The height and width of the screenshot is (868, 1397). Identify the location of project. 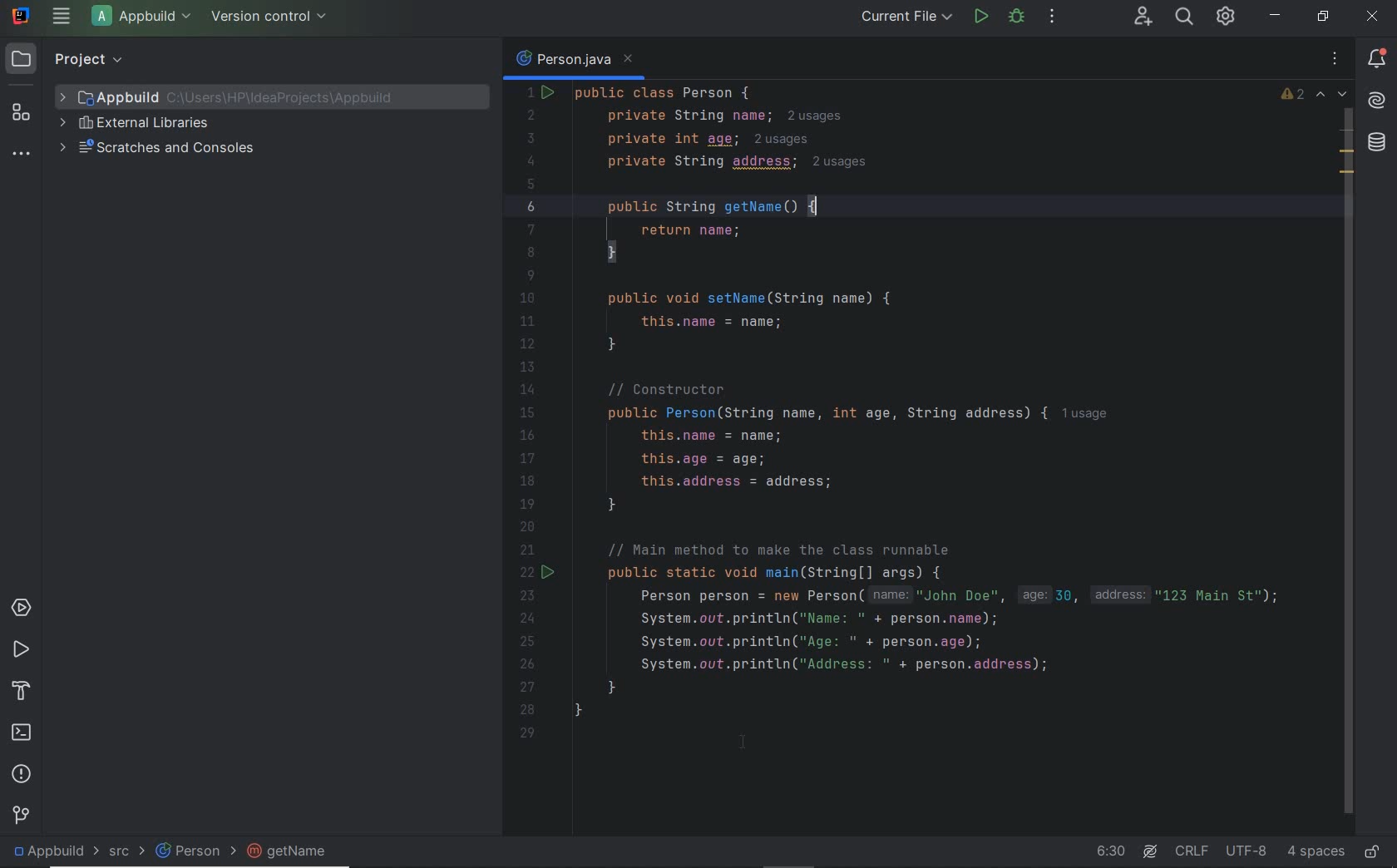
(70, 59).